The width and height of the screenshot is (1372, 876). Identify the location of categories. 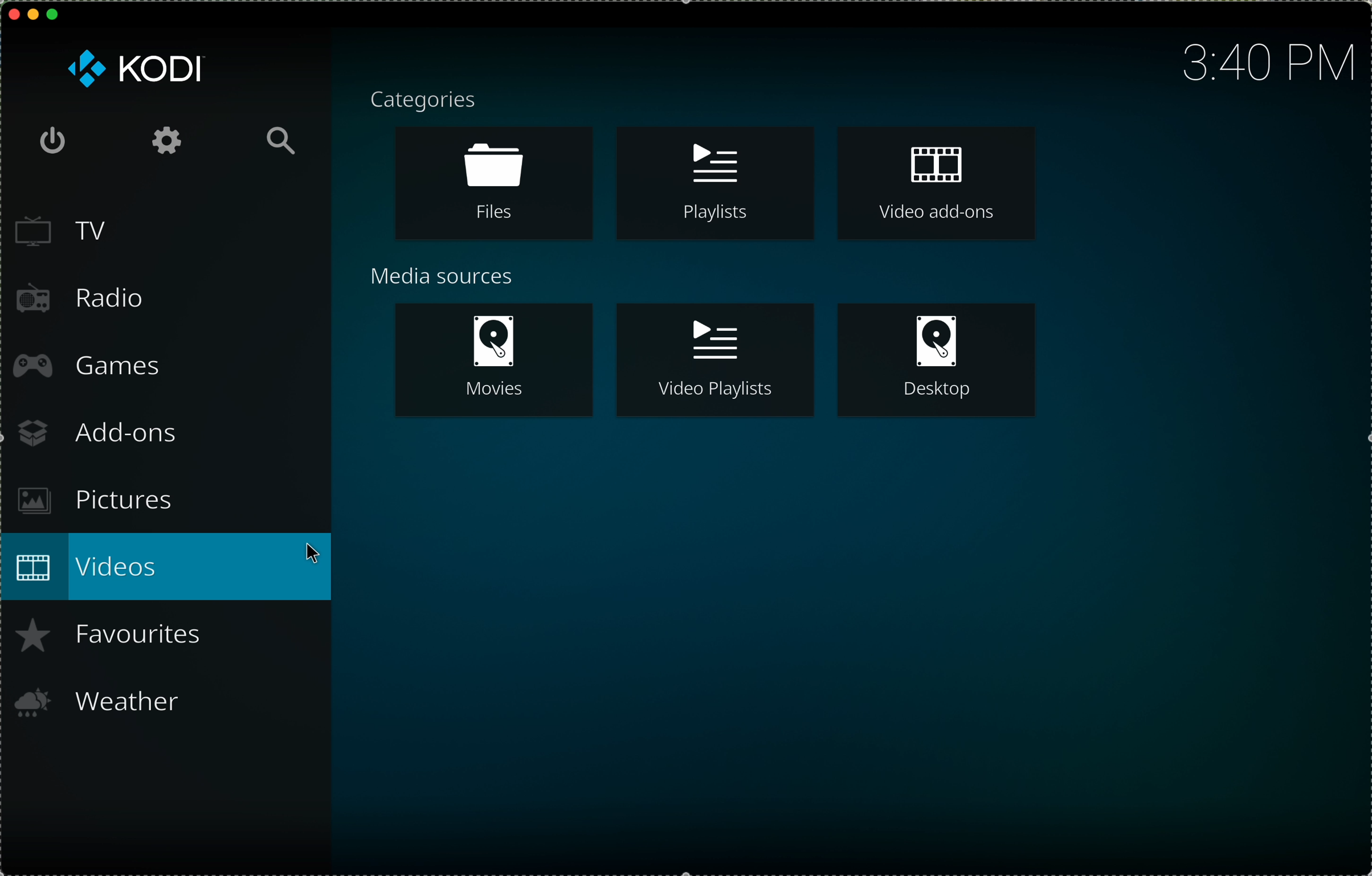
(424, 103).